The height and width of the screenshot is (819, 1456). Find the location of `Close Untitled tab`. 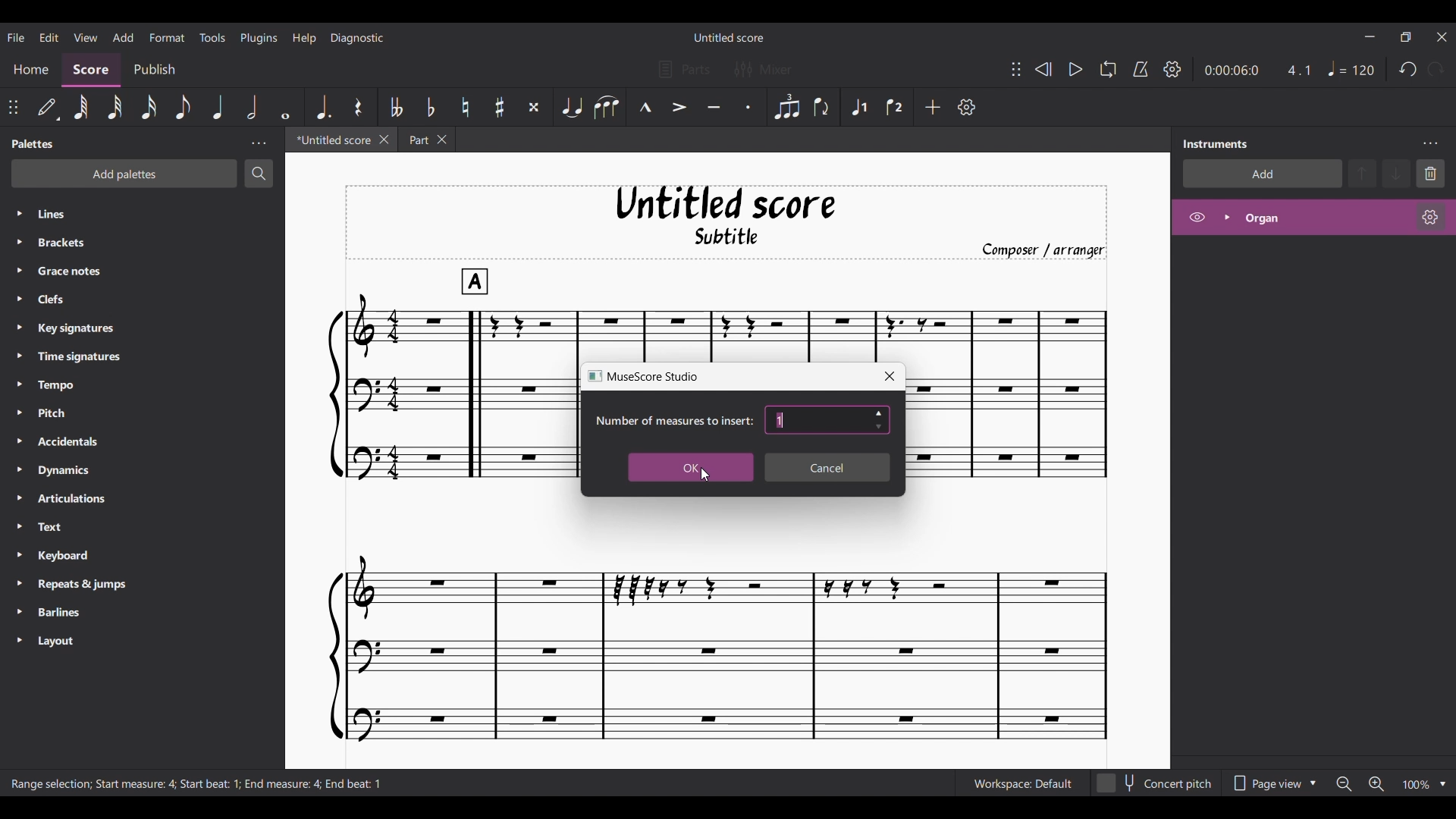

Close Untitled tab is located at coordinates (384, 140).